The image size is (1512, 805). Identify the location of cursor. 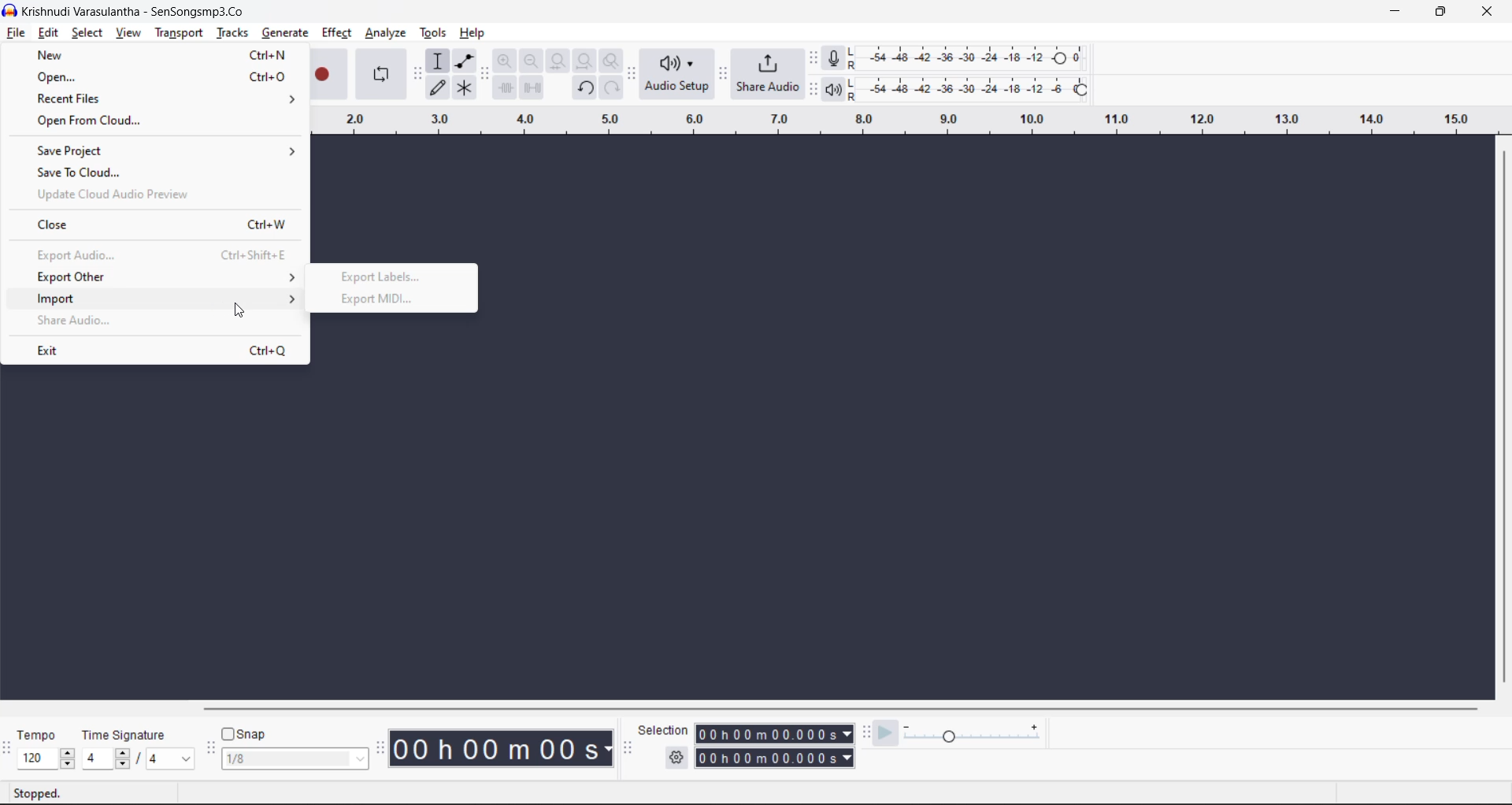
(243, 310).